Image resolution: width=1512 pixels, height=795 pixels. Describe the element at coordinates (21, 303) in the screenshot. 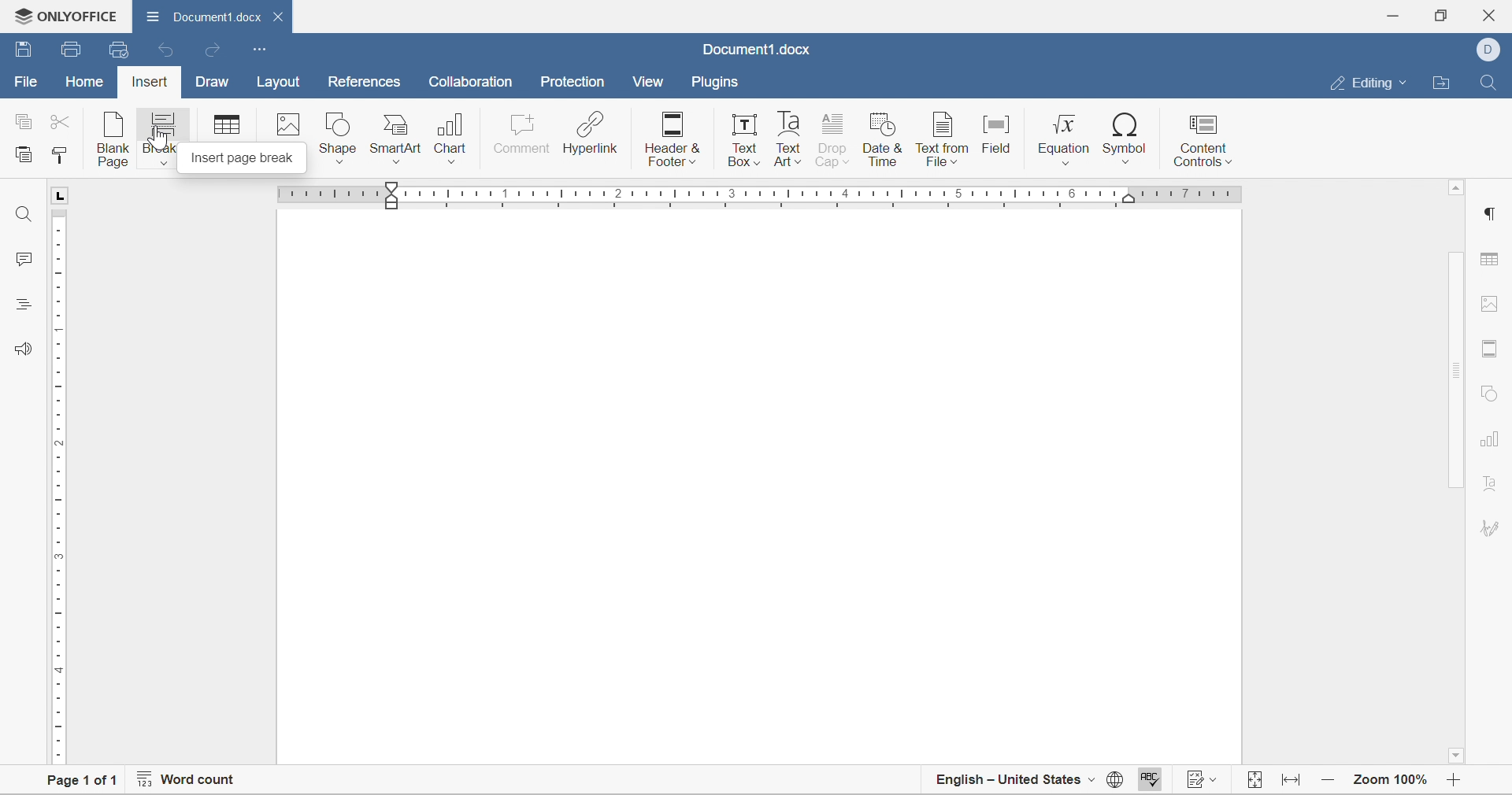

I see `Headings` at that location.